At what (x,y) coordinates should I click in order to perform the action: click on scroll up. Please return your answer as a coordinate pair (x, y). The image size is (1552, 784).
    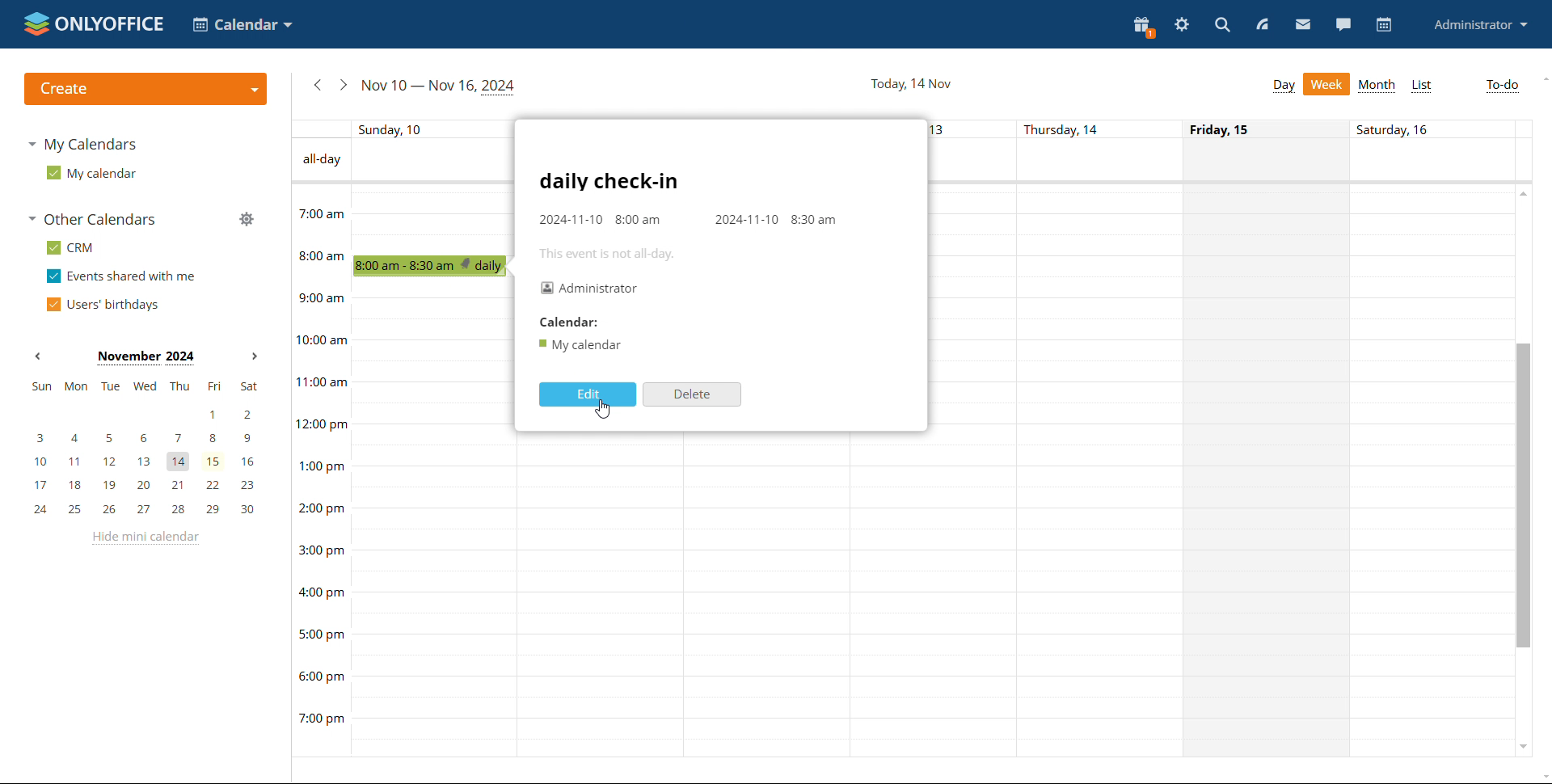
    Looking at the image, I should click on (1525, 192).